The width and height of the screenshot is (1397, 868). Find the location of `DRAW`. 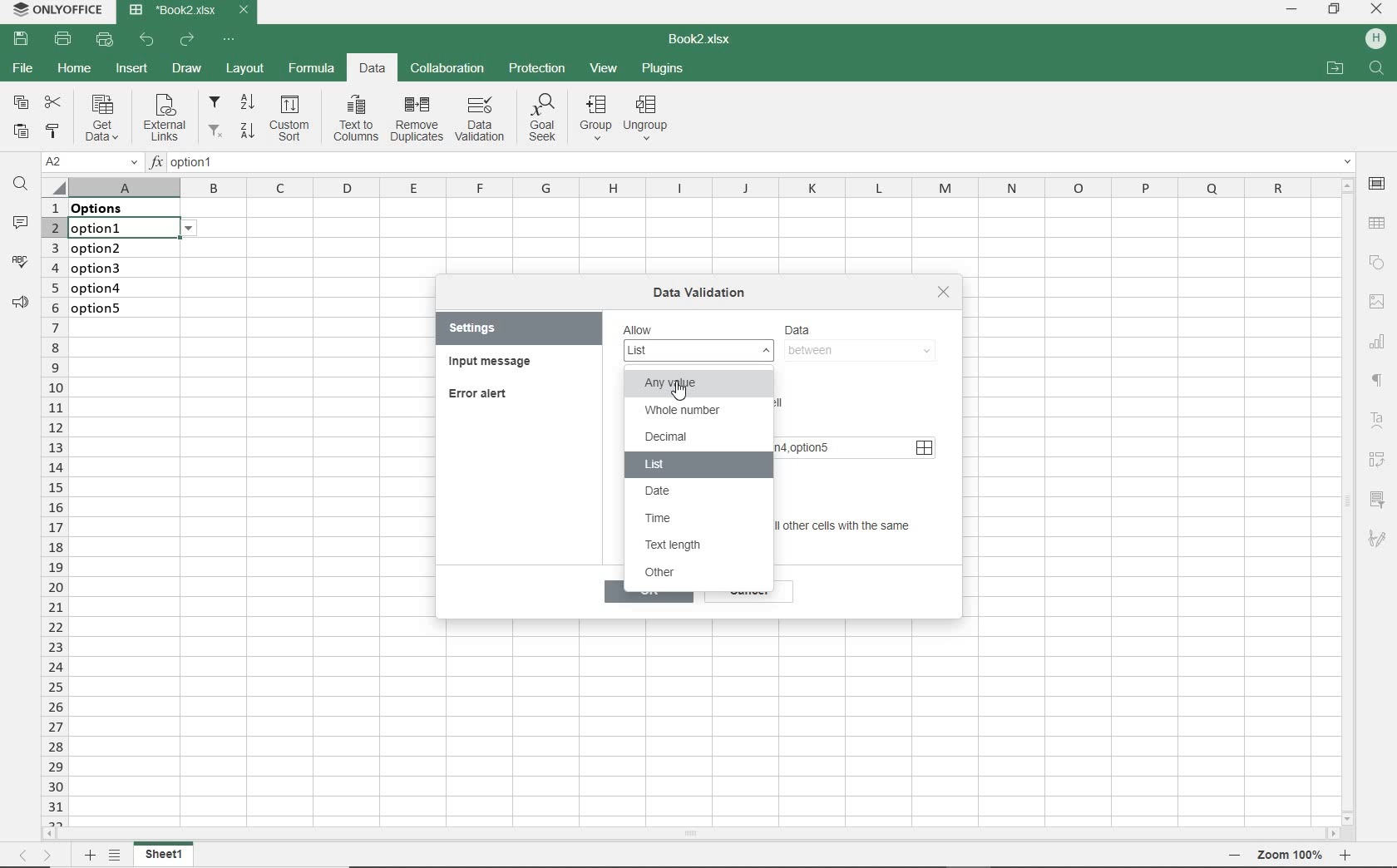

DRAW is located at coordinates (187, 68).